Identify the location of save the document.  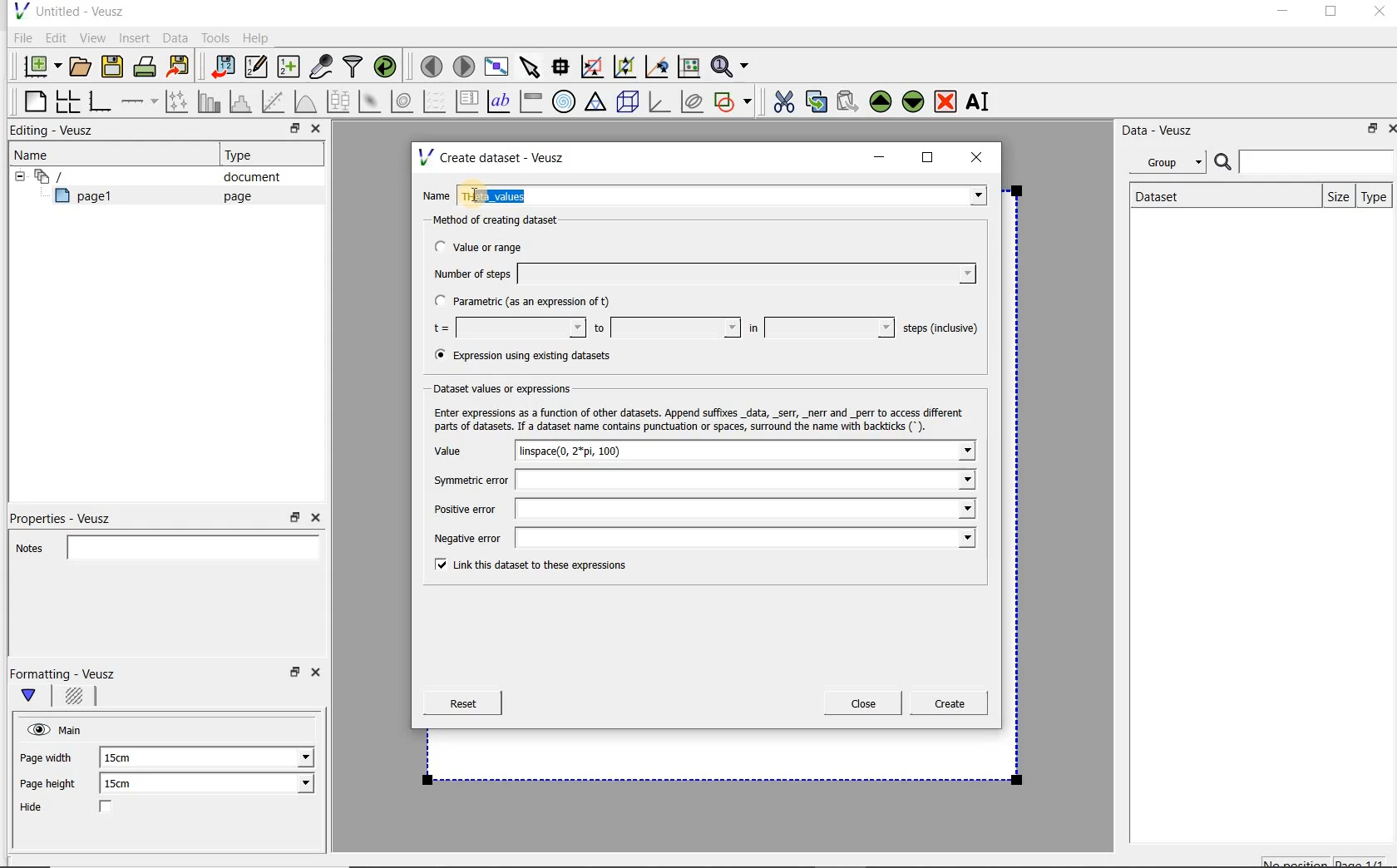
(116, 67).